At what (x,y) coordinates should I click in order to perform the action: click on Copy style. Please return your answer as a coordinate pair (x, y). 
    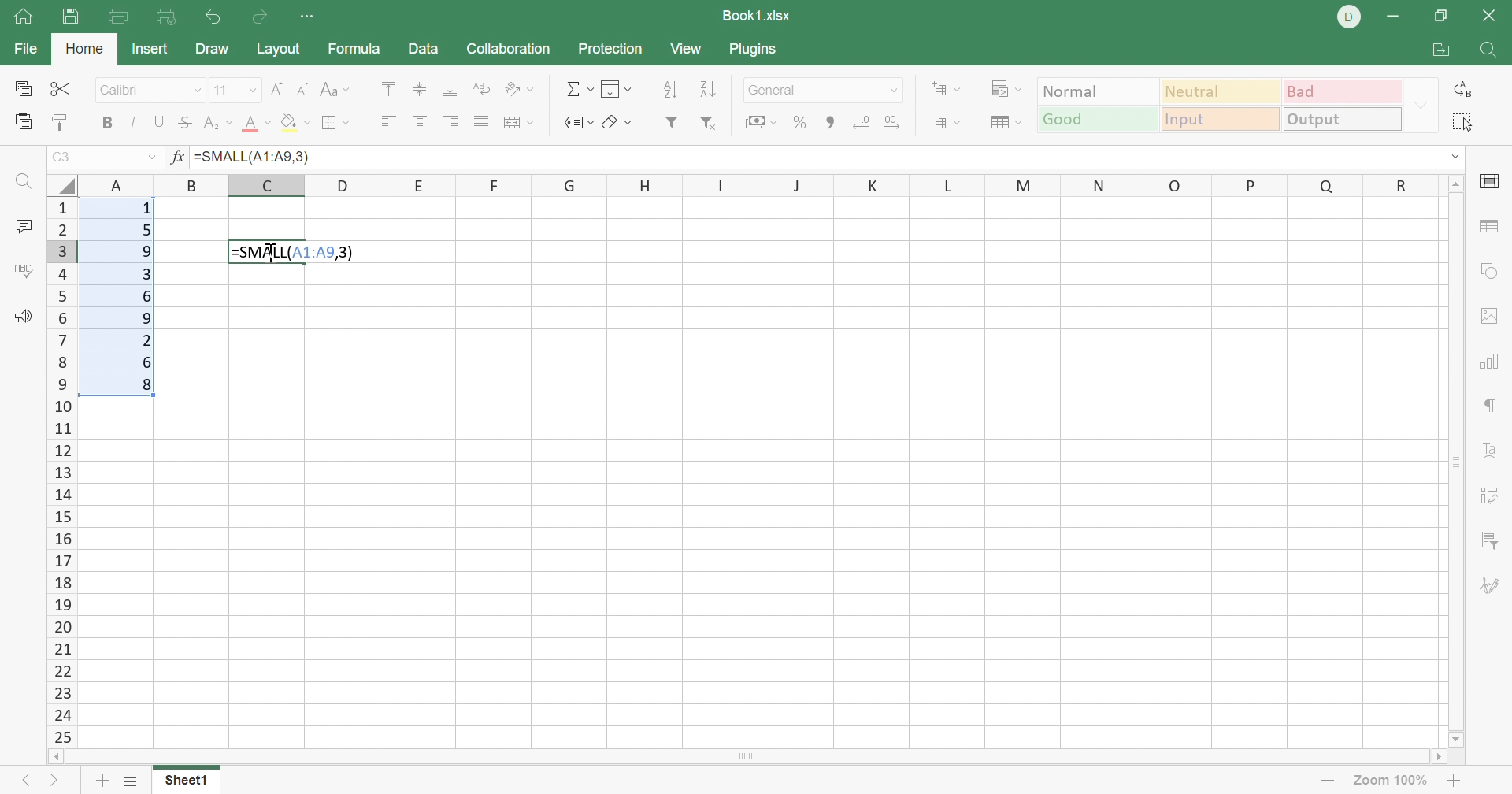
    Looking at the image, I should click on (59, 121).